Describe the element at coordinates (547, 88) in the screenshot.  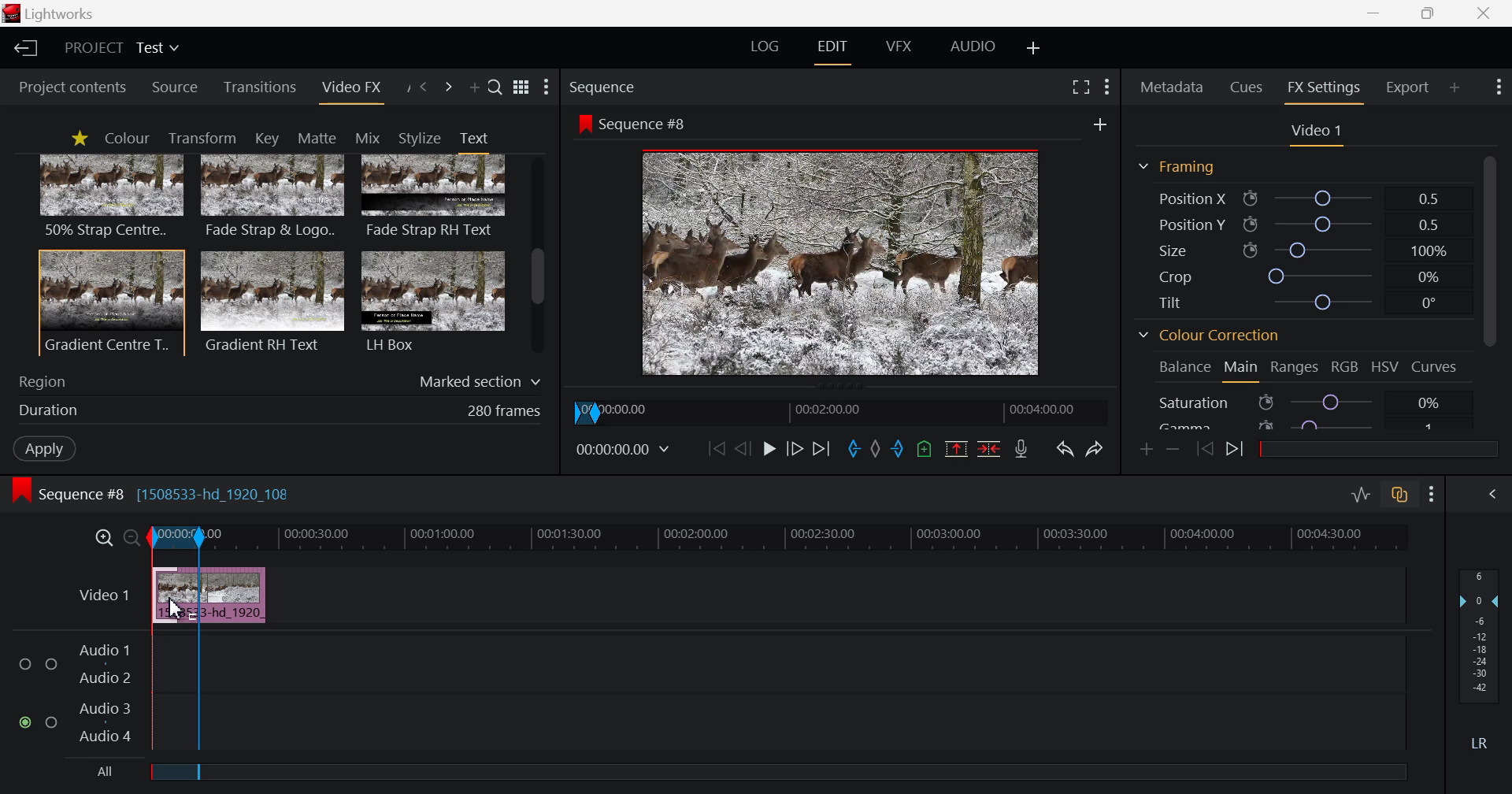
I see `Show Settings` at that location.